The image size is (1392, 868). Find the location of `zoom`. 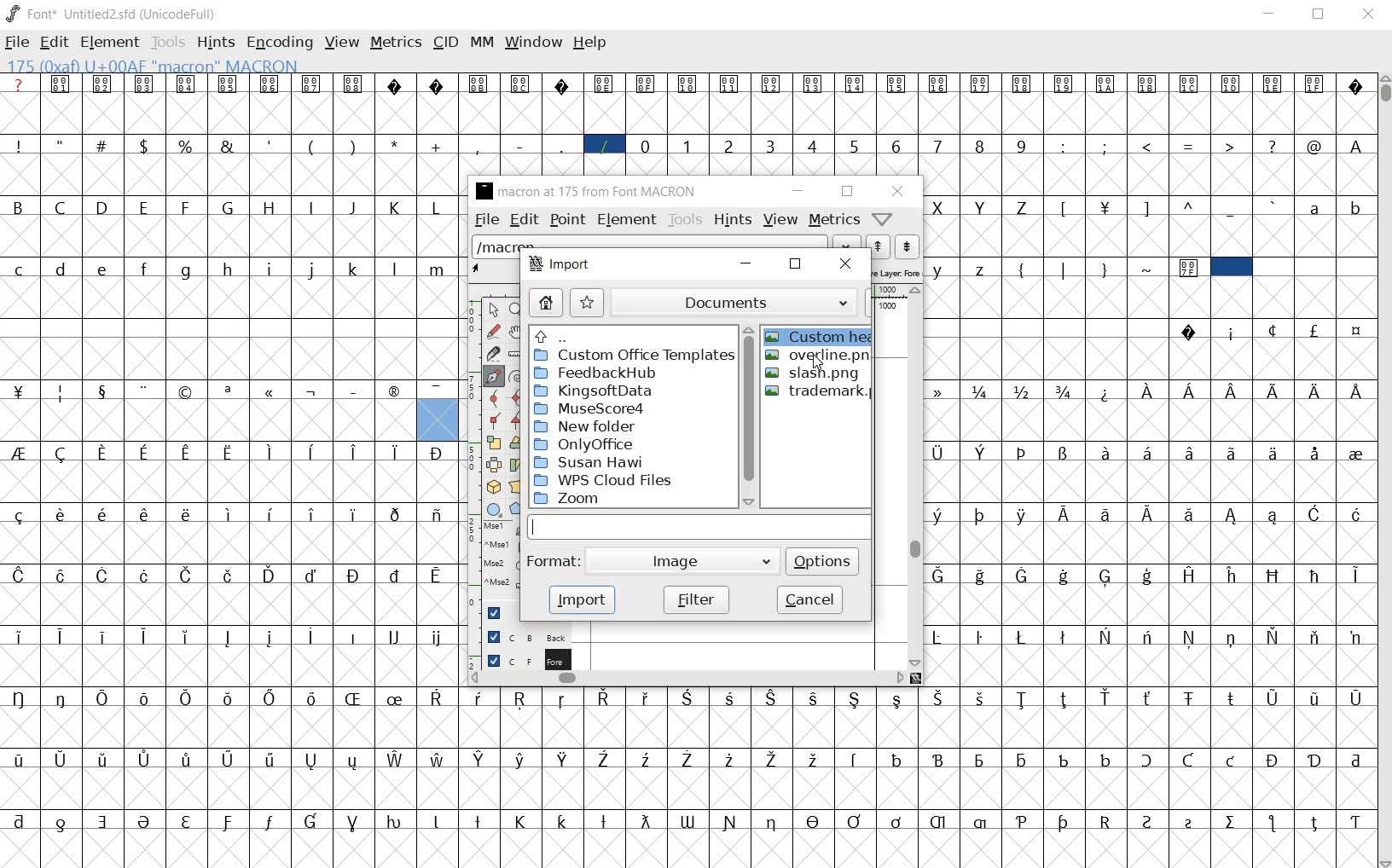

zoom is located at coordinates (630, 500).